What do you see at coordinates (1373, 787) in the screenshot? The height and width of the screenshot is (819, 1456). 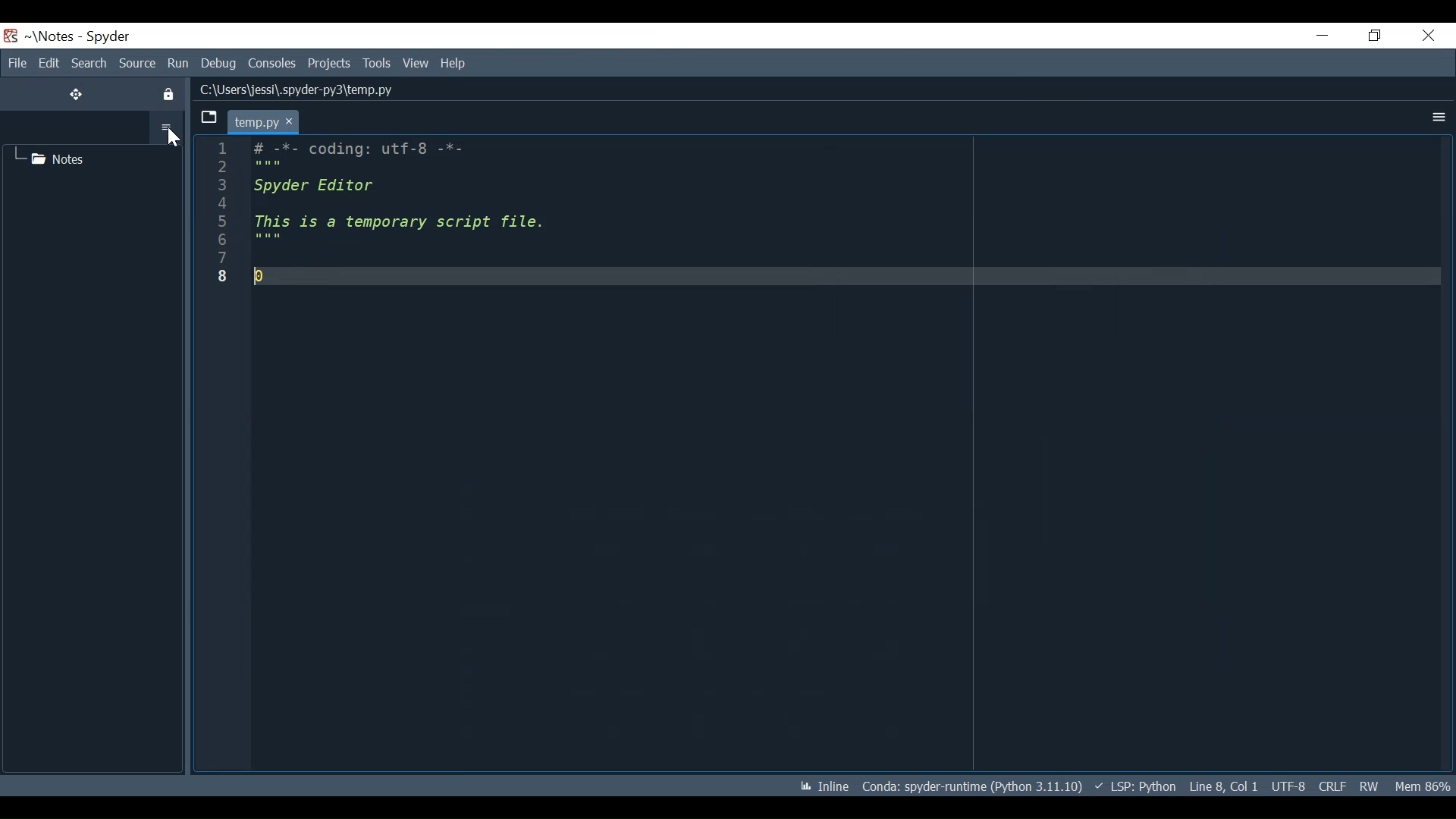 I see `RW` at bounding box center [1373, 787].